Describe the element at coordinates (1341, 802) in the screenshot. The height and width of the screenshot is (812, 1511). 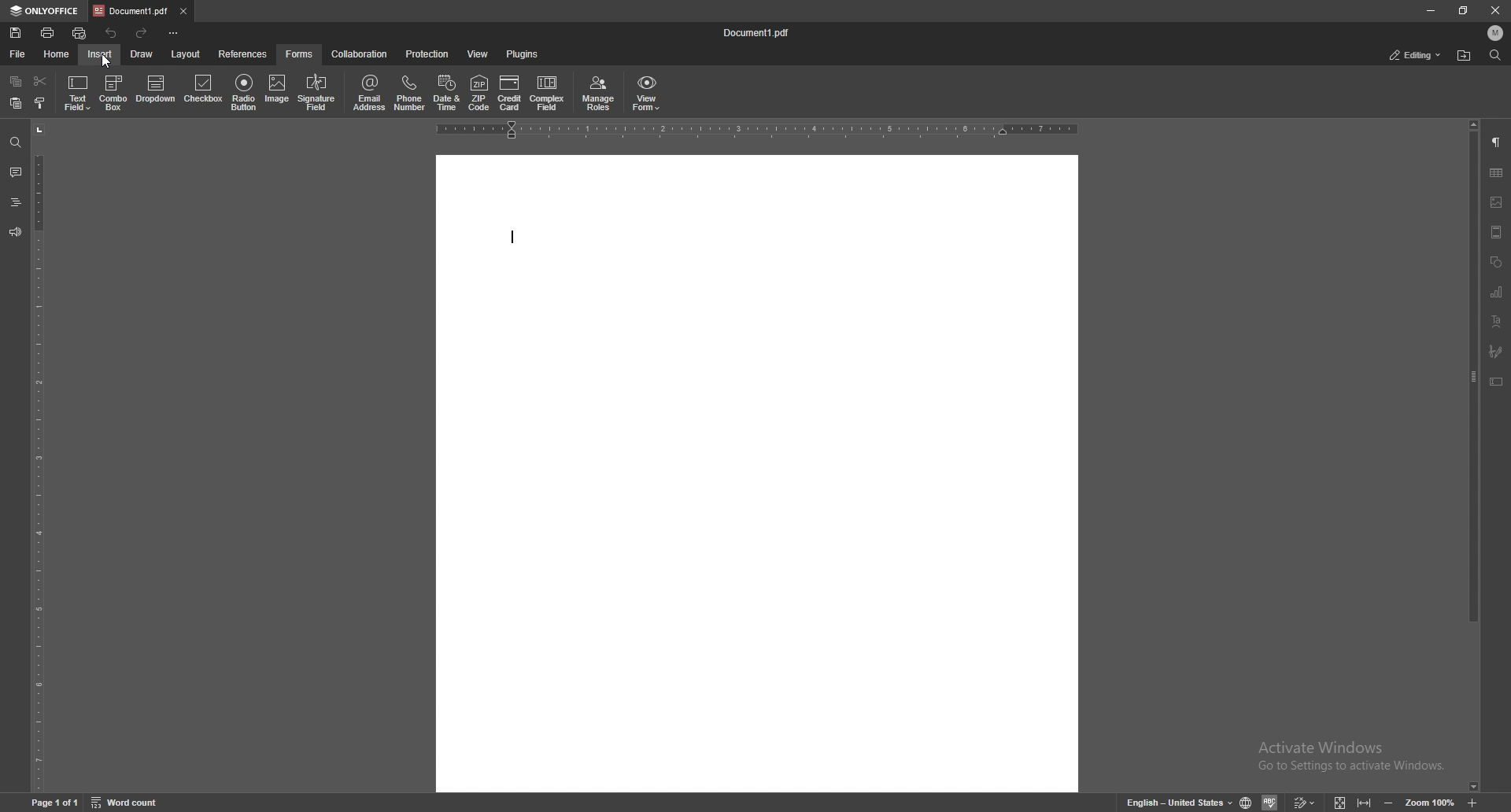
I see `fit to screen` at that location.